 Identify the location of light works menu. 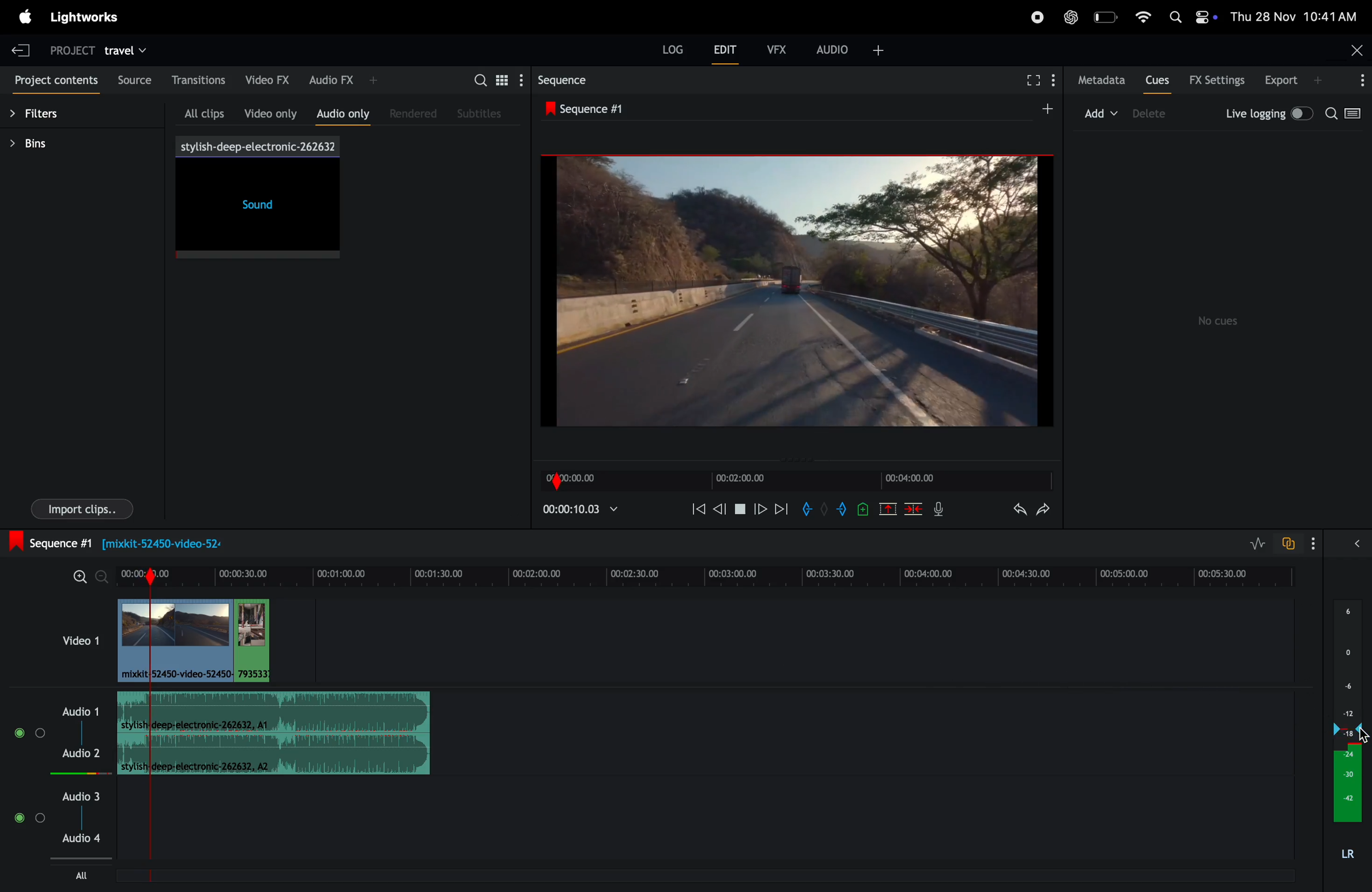
(87, 19).